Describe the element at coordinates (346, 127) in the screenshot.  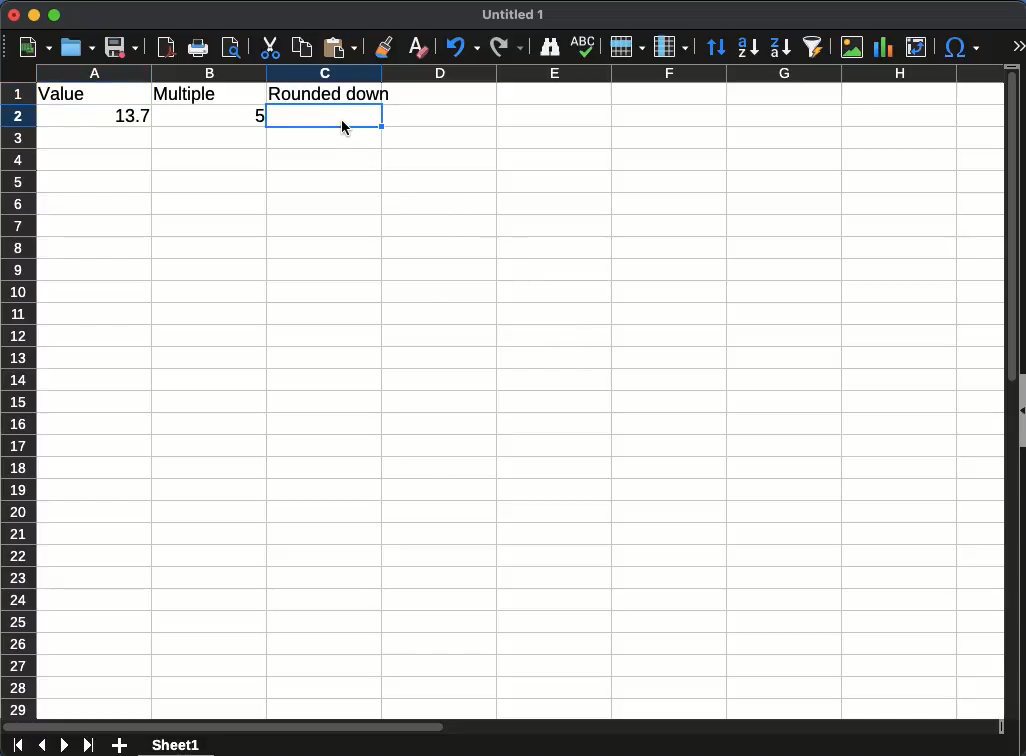
I see `cursor` at that location.